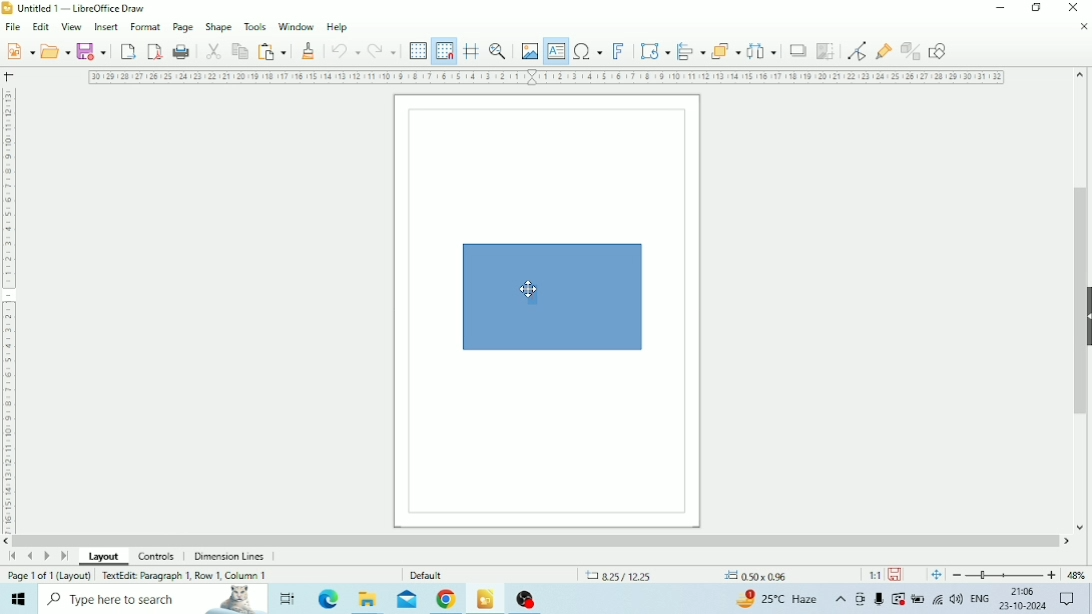  What do you see at coordinates (20, 599) in the screenshot?
I see `Windows` at bounding box center [20, 599].